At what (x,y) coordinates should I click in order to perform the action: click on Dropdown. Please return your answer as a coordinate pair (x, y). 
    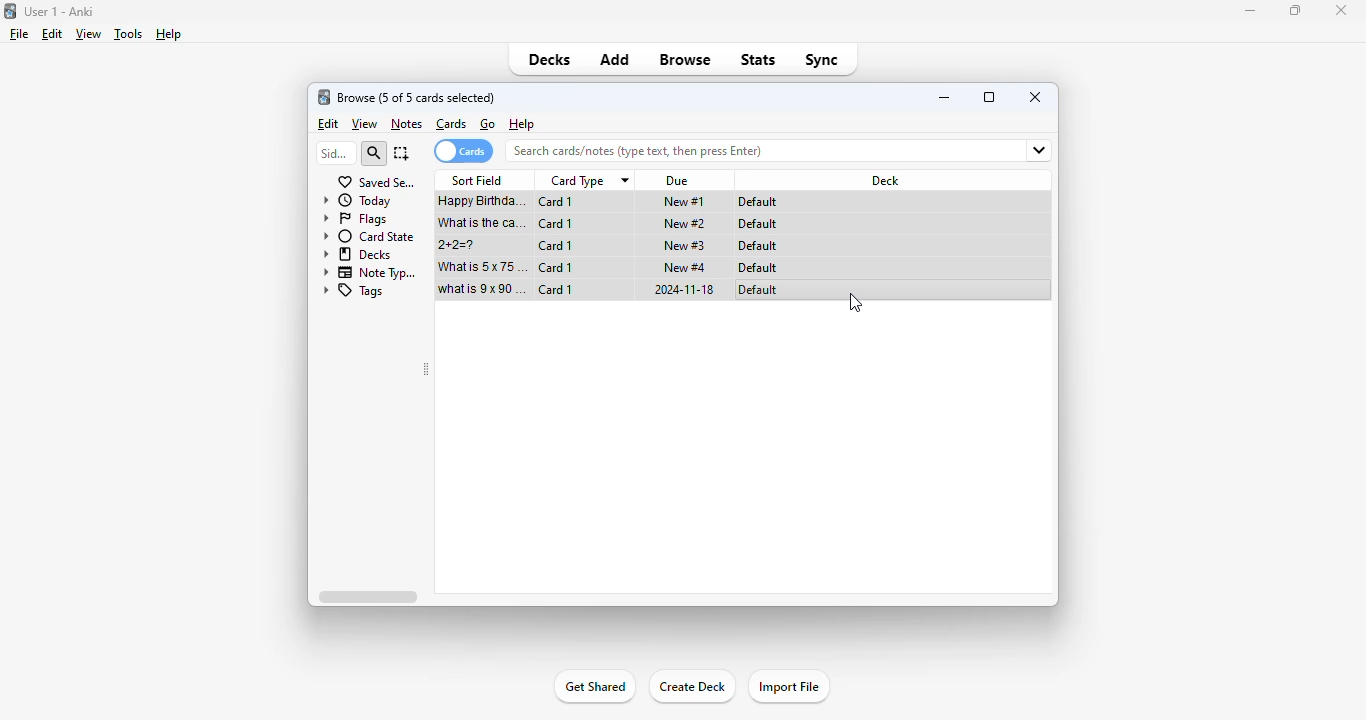
    Looking at the image, I should click on (1037, 151).